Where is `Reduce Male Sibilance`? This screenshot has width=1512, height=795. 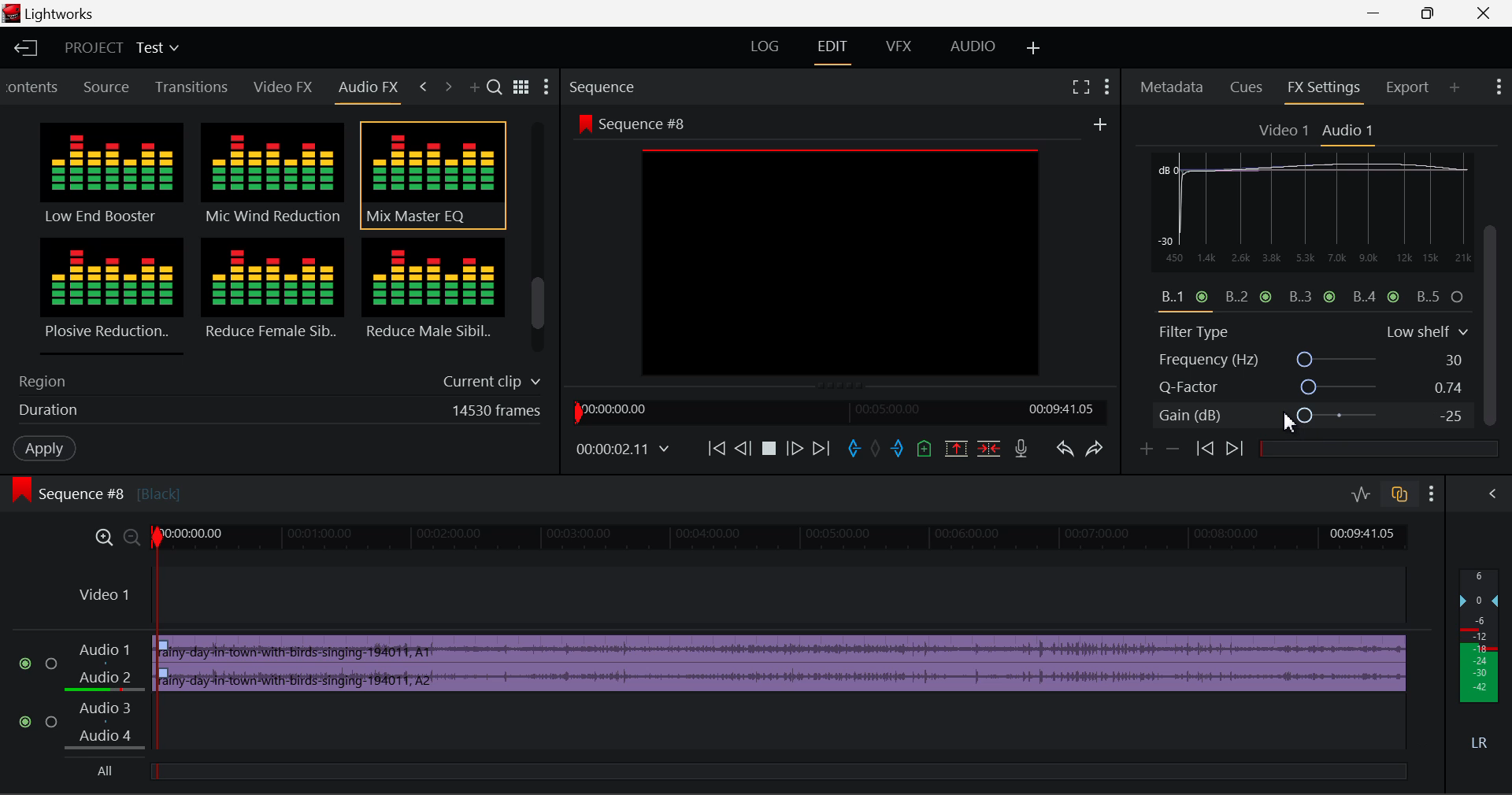
Reduce Male Sibilance is located at coordinates (432, 294).